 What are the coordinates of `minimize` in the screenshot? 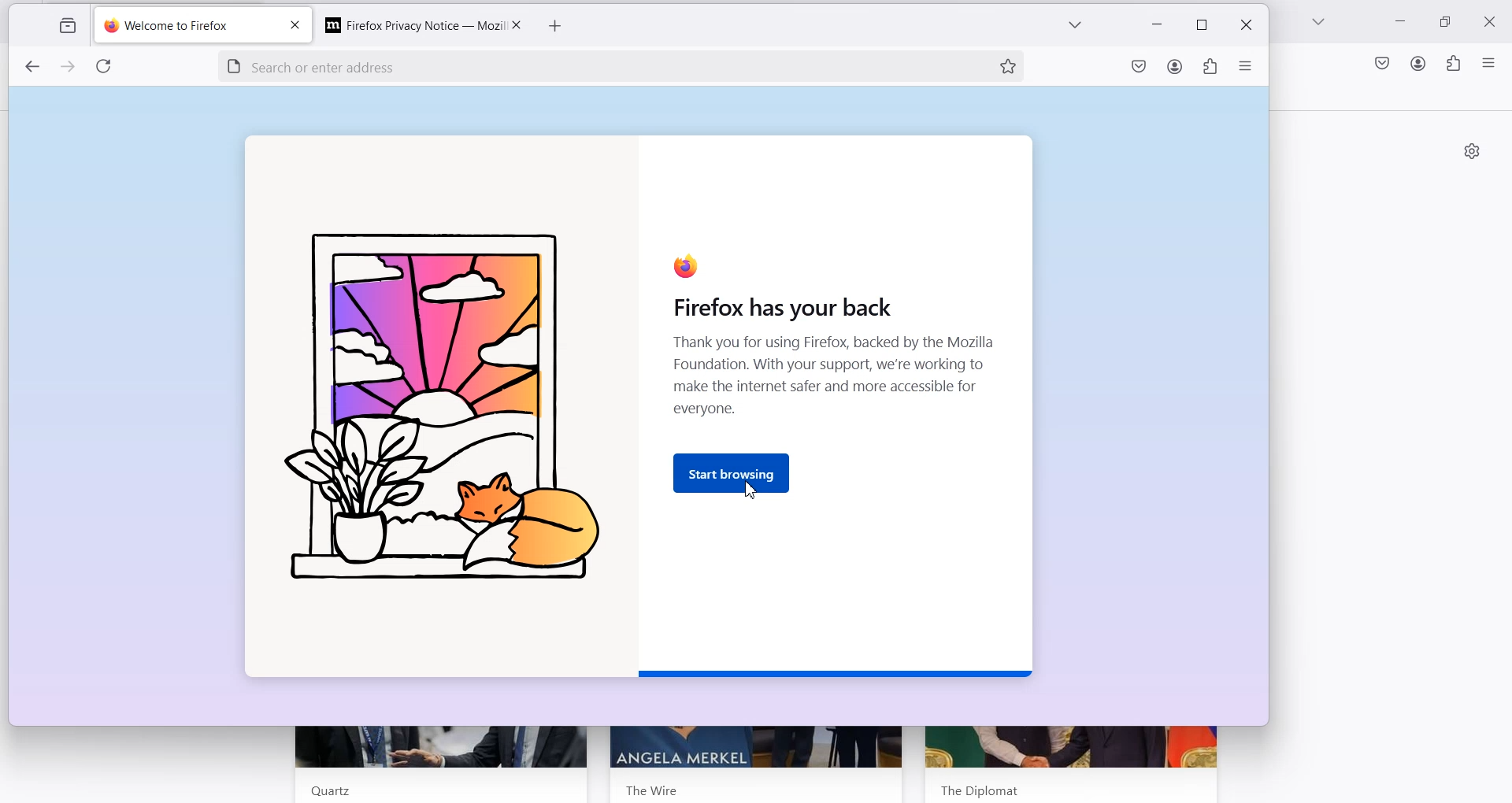 It's located at (1159, 26).